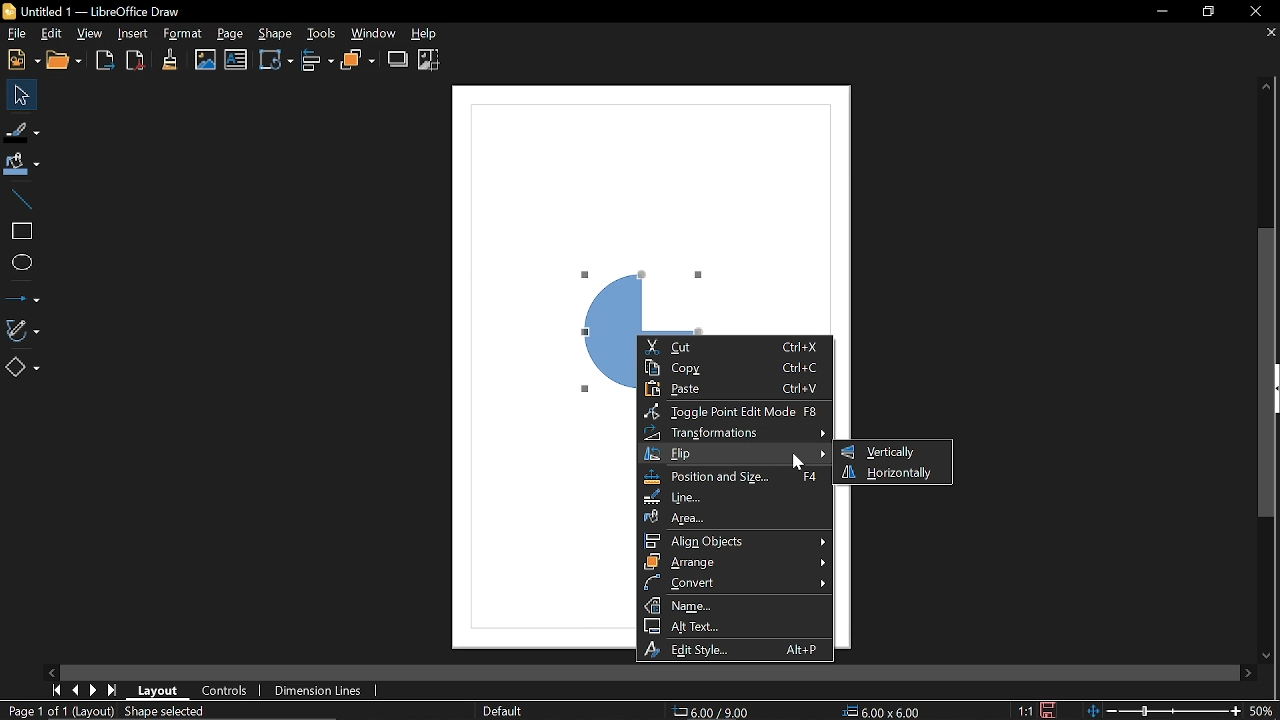 The width and height of the screenshot is (1280, 720). Describe the element at coordinates (51, 32) in the screenshot. I see `Edit` at that location.